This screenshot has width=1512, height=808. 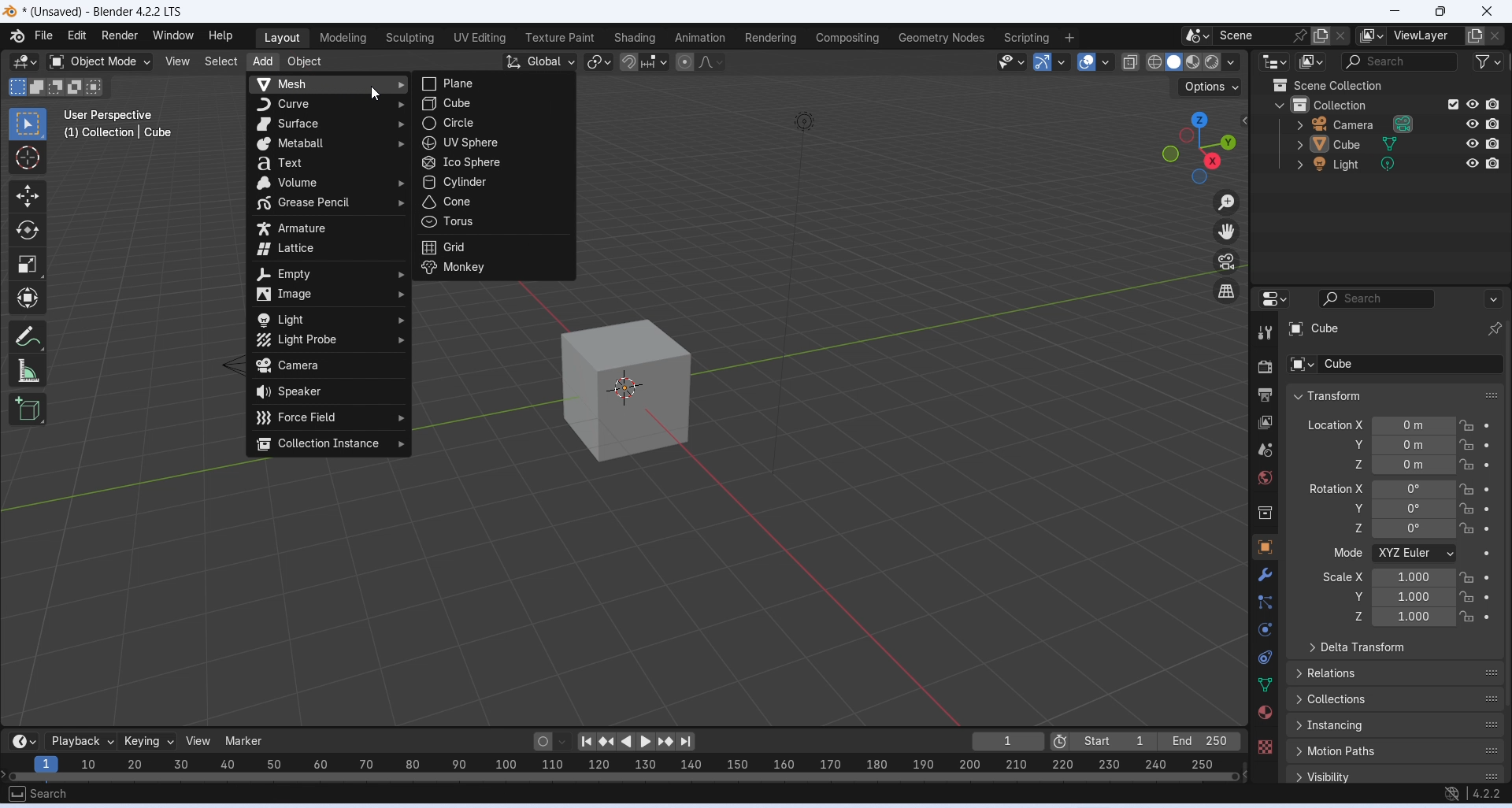 What do you see at coordinates (1354, 464) in the screenshot?
I see `z` at bounding box center [1354, 464].